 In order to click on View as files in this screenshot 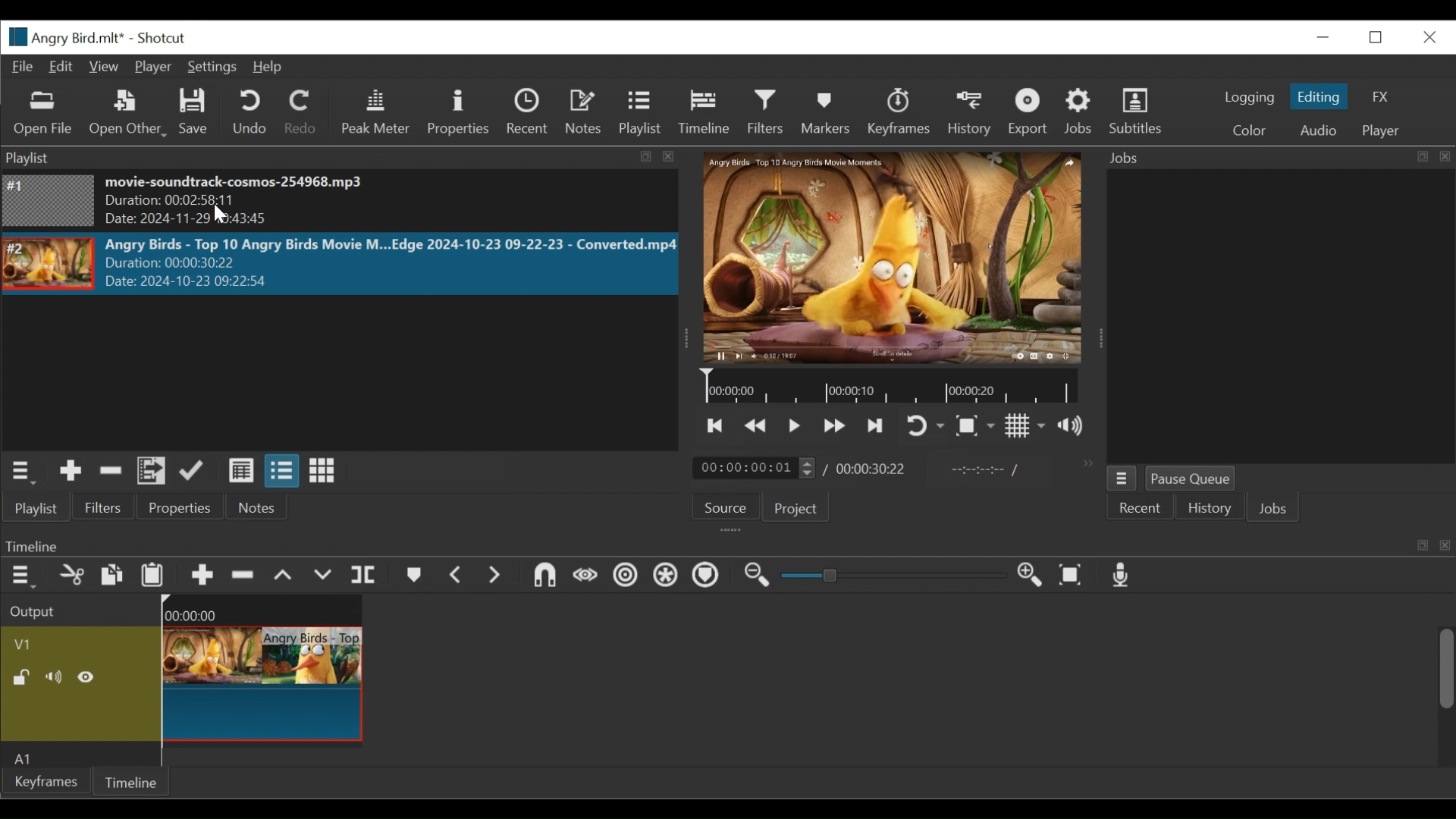, I will do `click(281, 472)`.